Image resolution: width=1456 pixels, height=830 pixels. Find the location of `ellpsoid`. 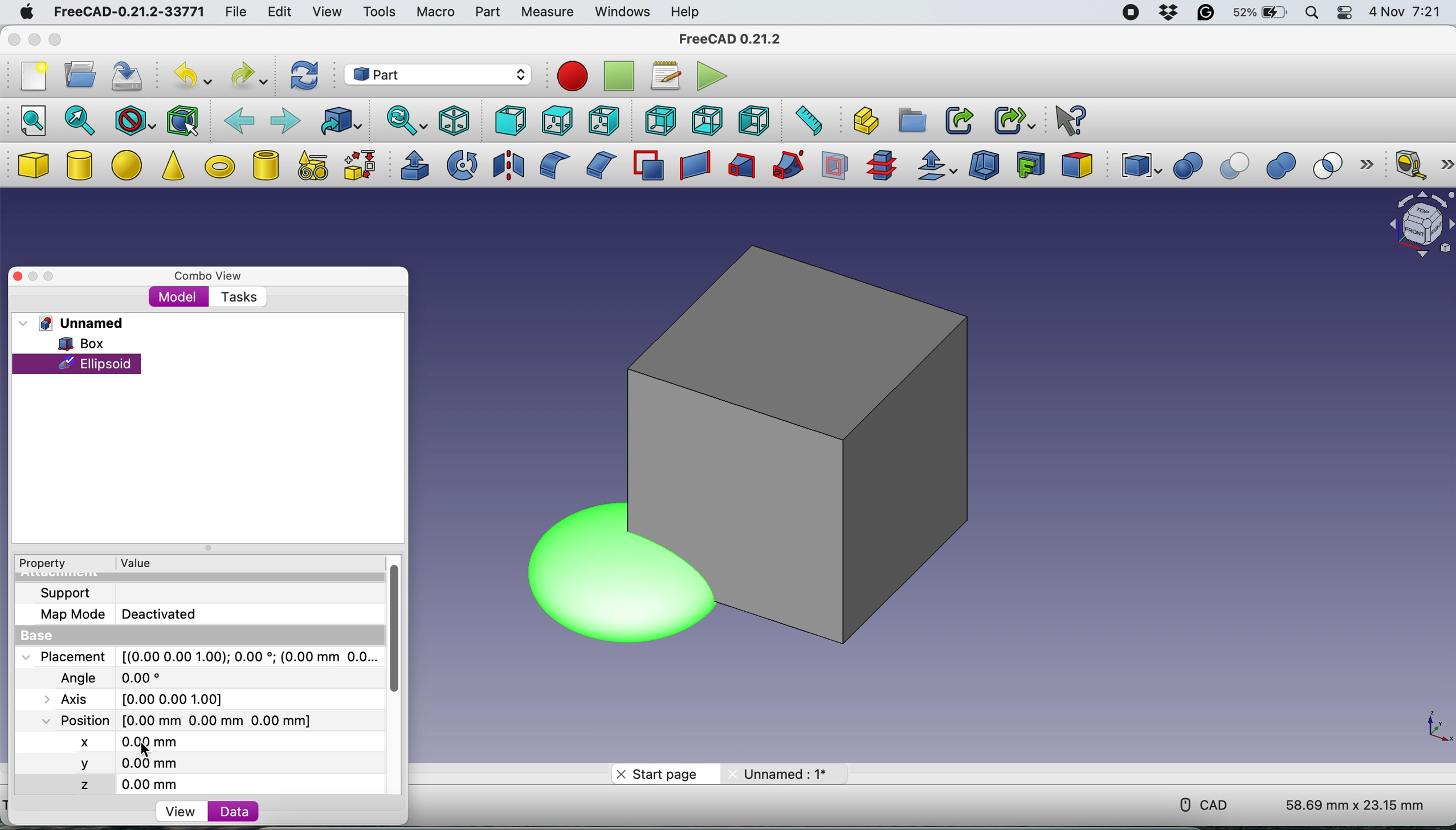

ellpsoid is located at coordinates (78, 363).